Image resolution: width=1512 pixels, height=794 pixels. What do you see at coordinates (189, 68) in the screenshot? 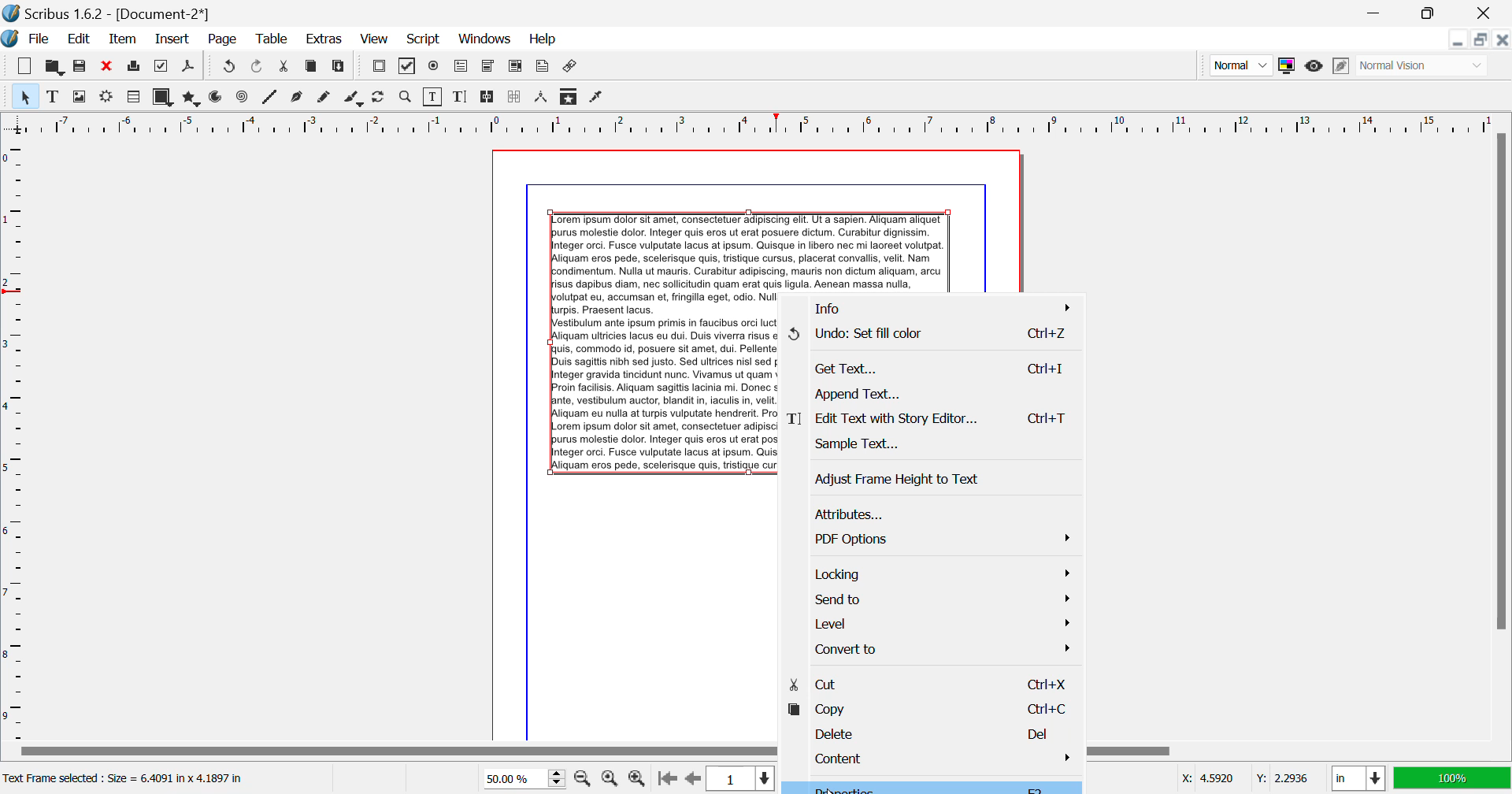
I see `Save as PDF` at bounding box center [189, 68].